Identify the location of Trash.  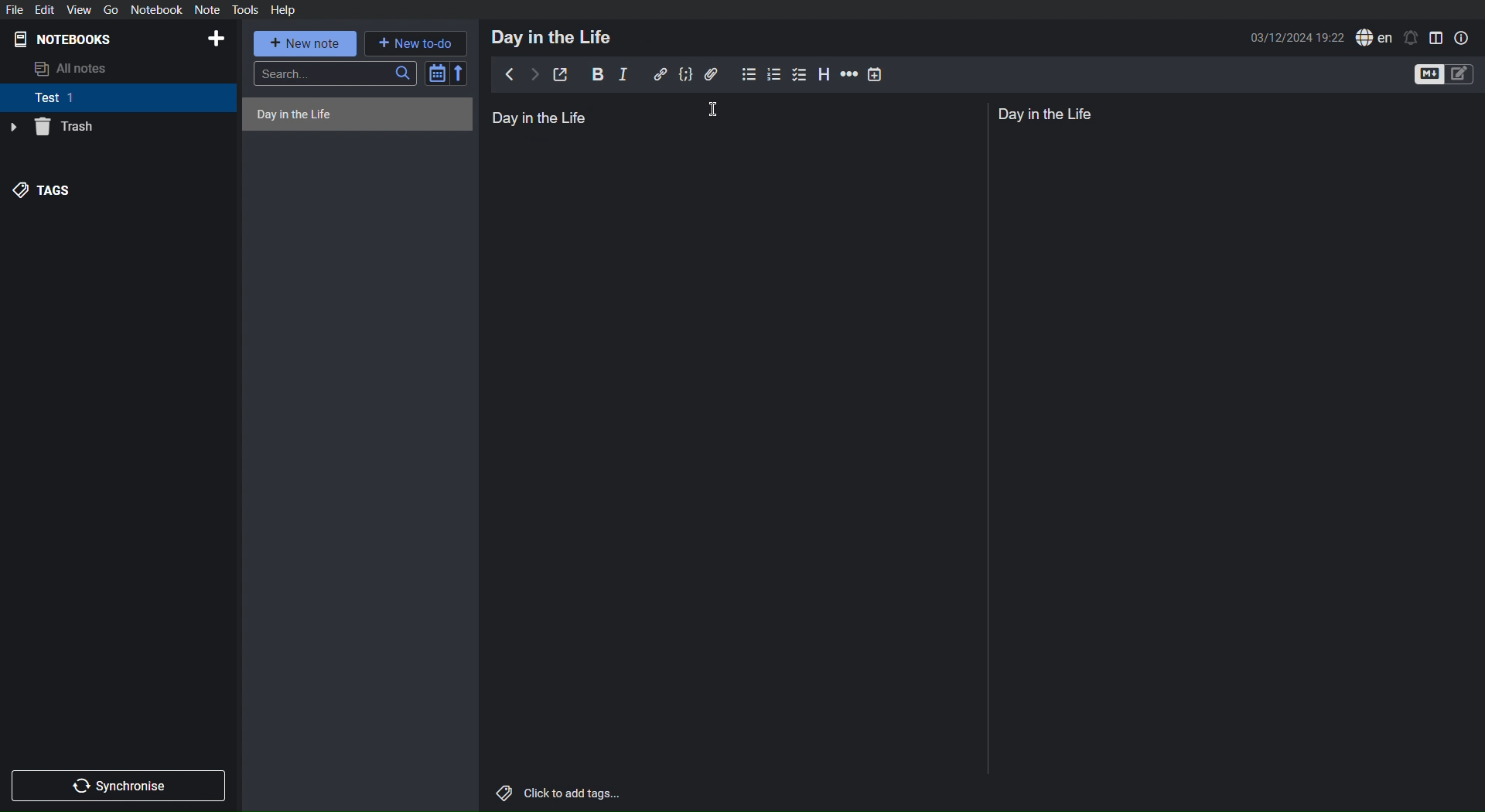
(52, 126).